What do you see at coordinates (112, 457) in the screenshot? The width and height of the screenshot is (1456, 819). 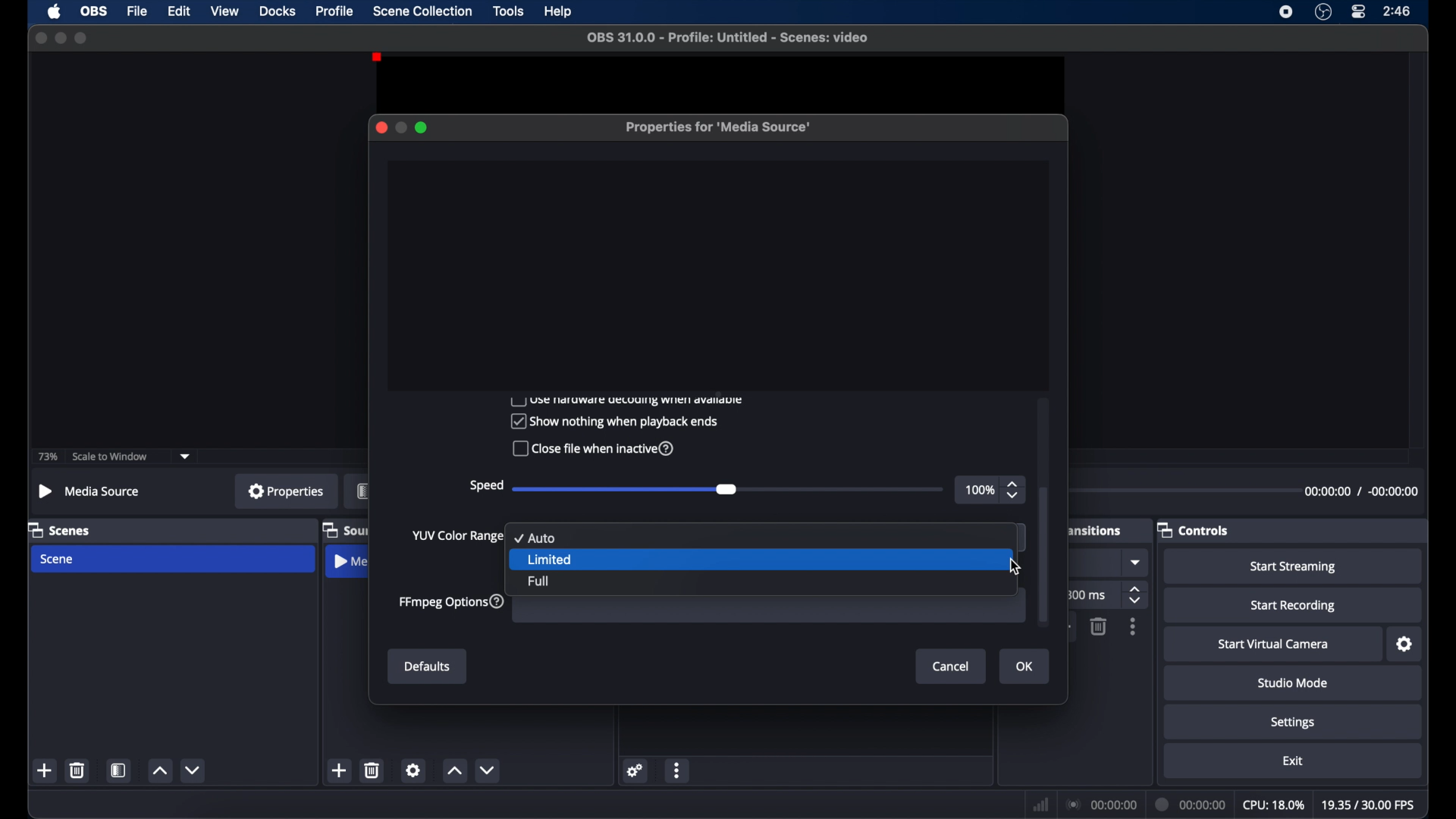 I see `scale to window` at bounding box center [112, 457].